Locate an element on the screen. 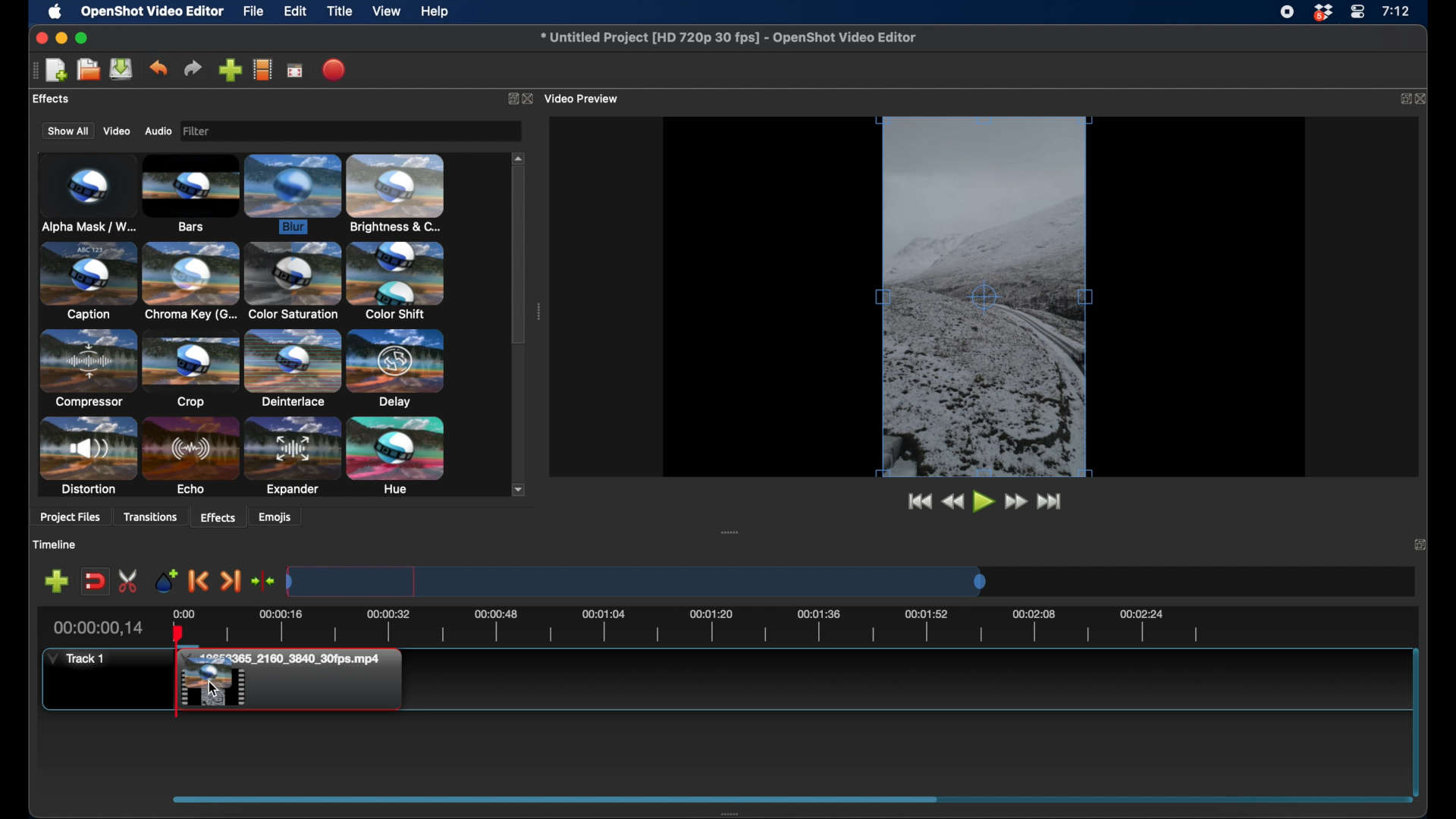 The width and height of the screenshot is (1456, 819). scroll down arrow is located at coordinates (519, 489).